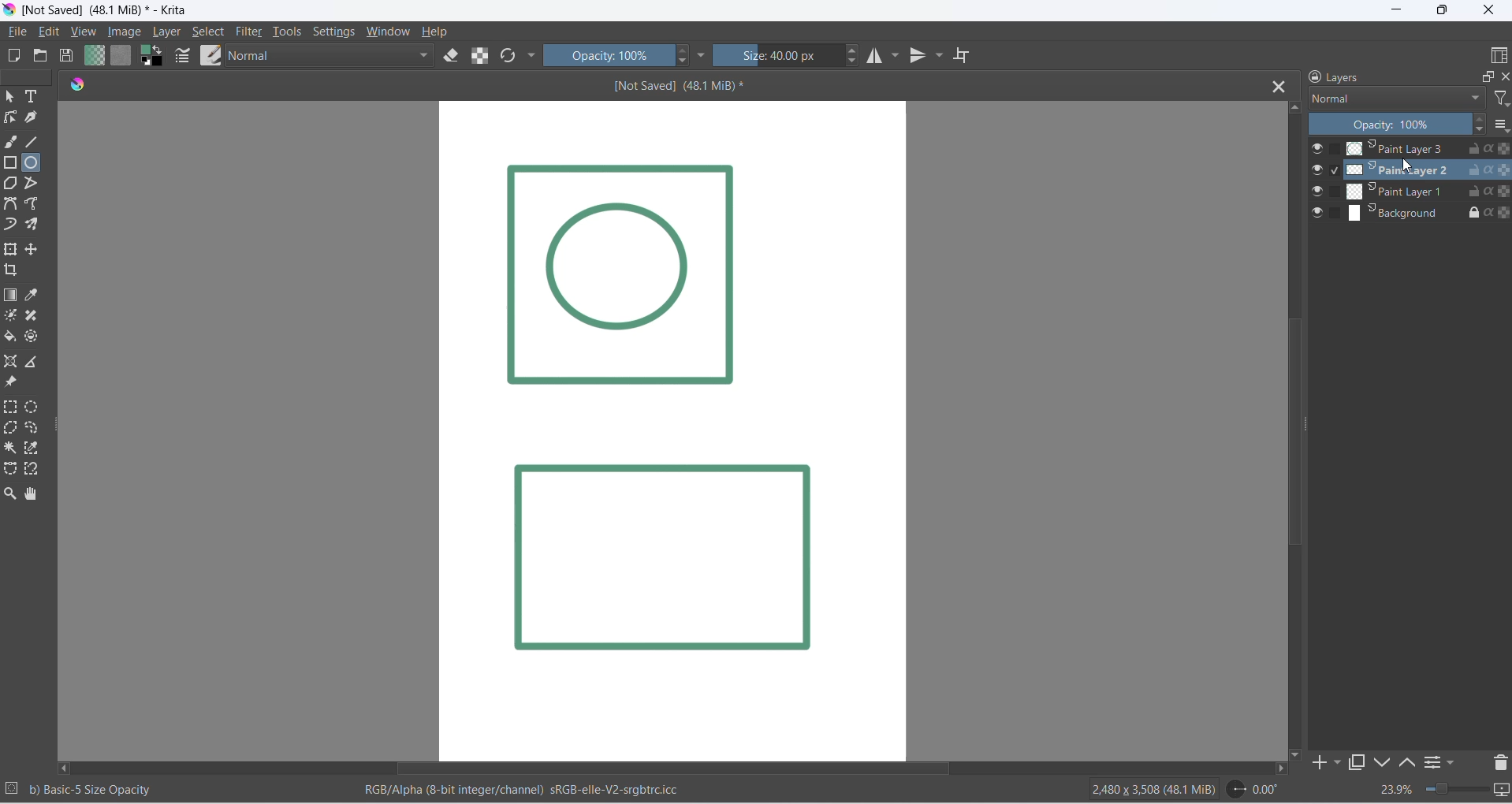  I want to click on Image Layer 1, so click(622, 281).